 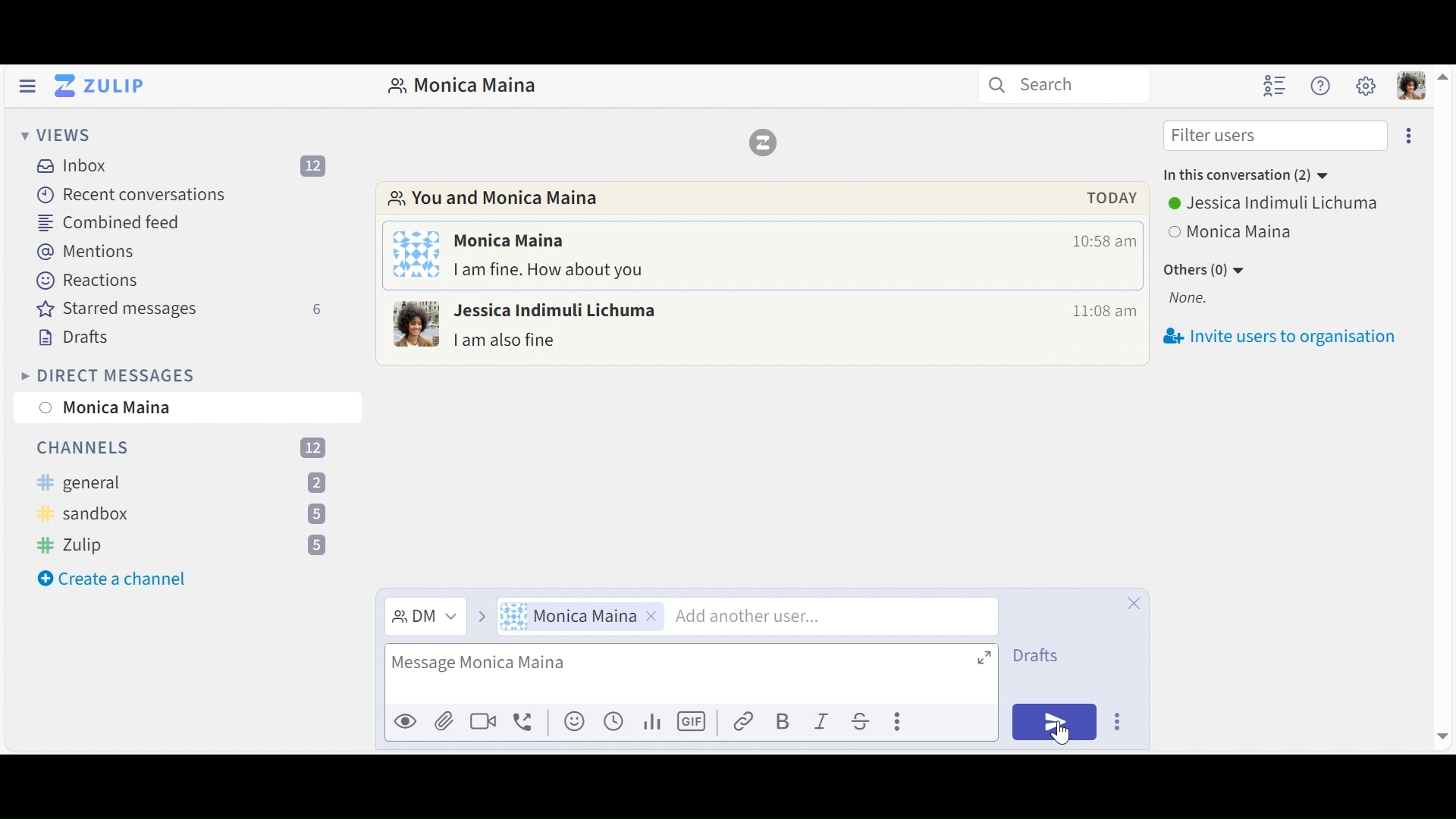 I want to click on Bold, so click(x=786, y=721).